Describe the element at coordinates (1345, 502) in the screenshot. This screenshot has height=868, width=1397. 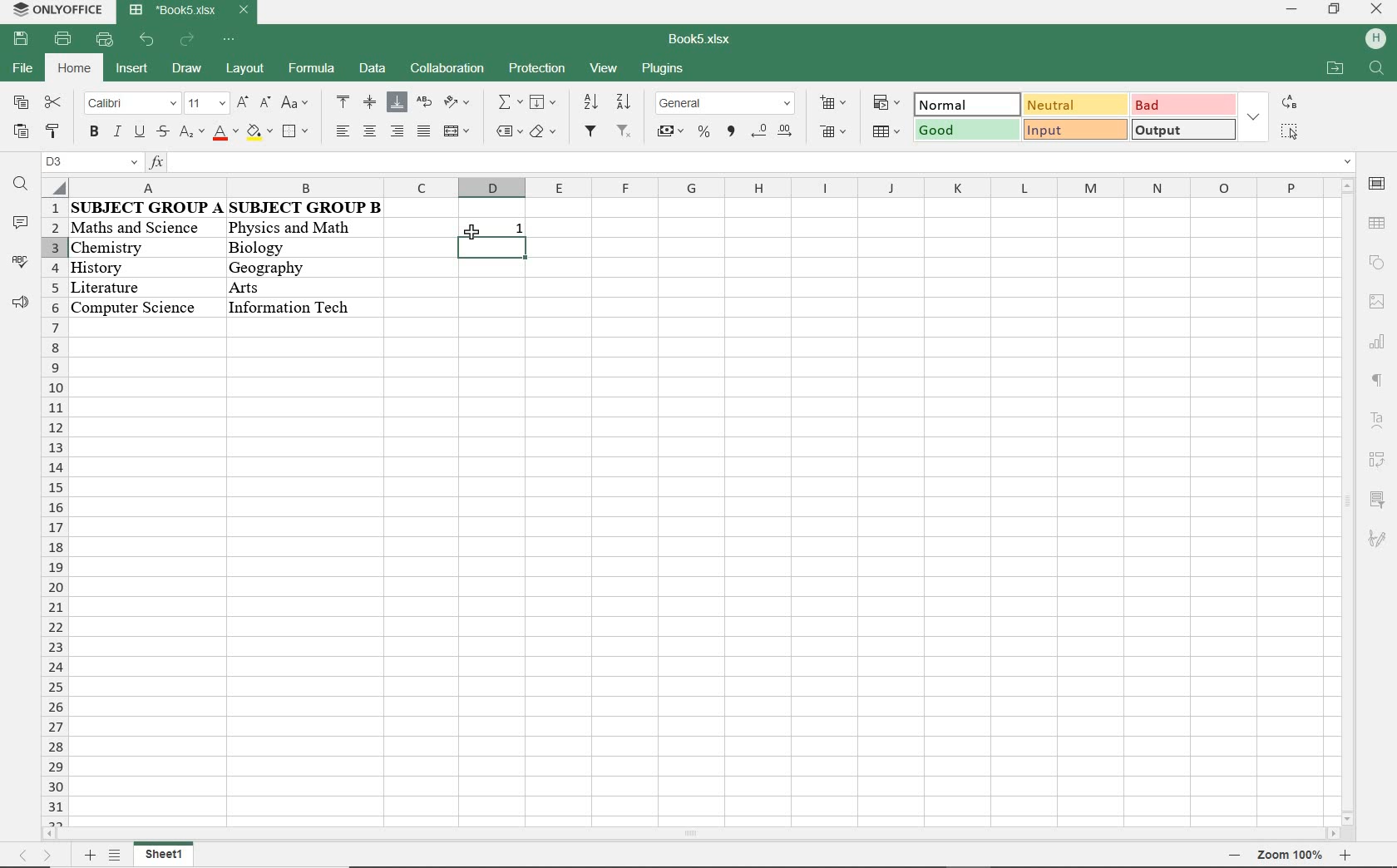
I see `scrollbar` at that location.